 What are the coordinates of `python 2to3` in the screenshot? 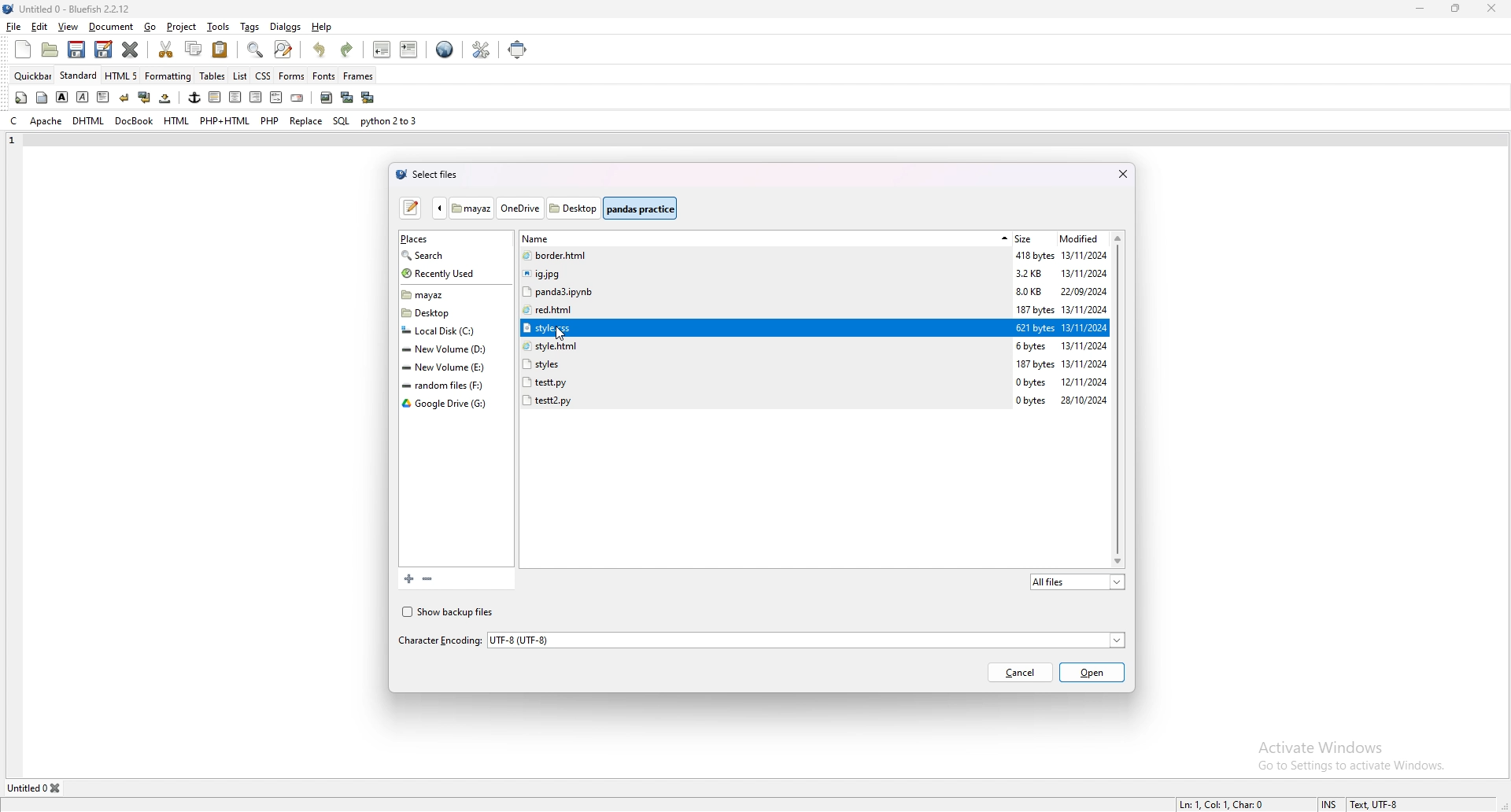 It's located at (390, 120).